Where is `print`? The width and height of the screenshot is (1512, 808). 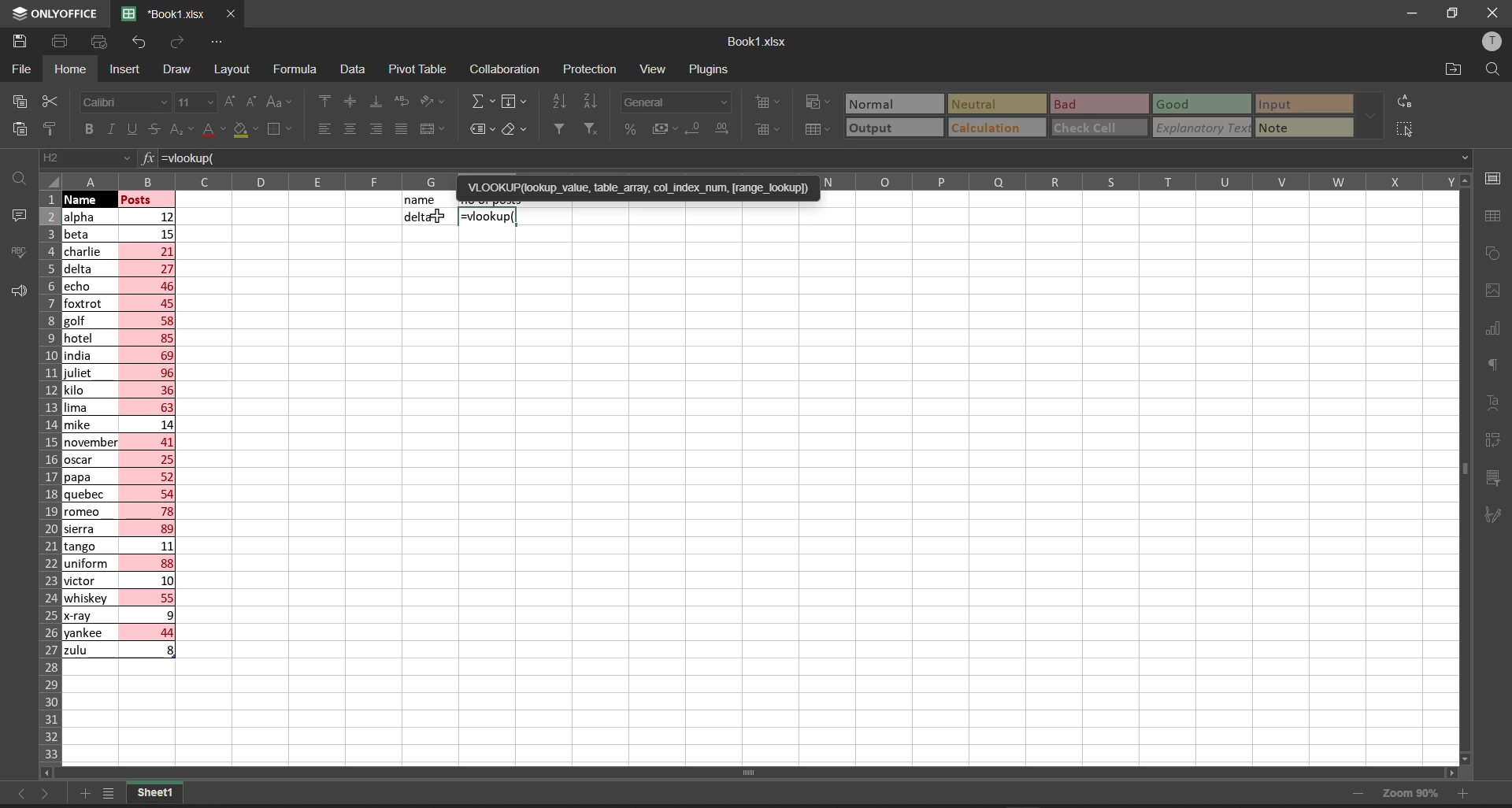
print is located at coordinates (61, 43).